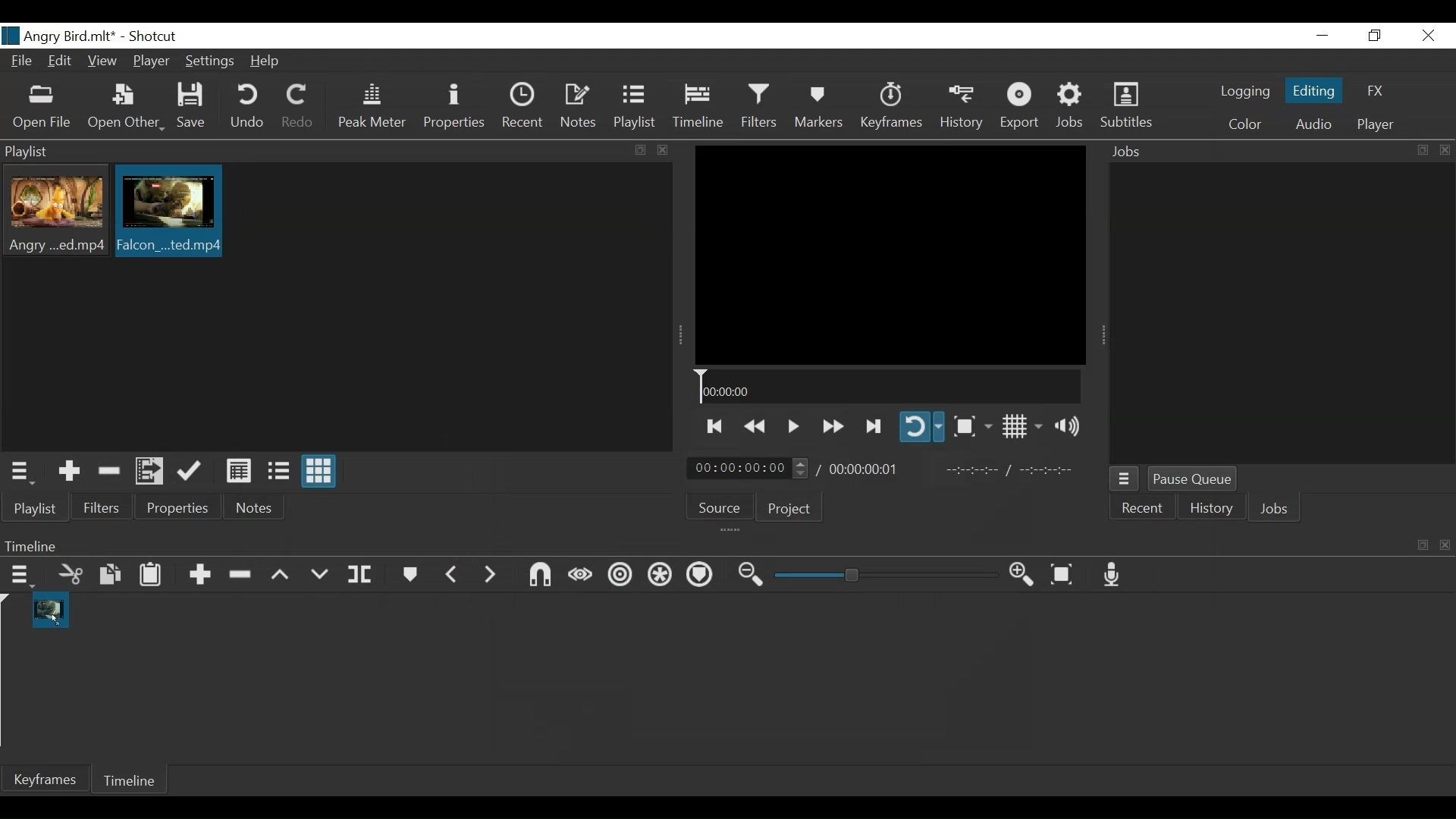 The height and width of the screenshot is (819, 1456). Describe the element at coordinates (748, 469) in the screenshot. I see `Current duration` at that location.